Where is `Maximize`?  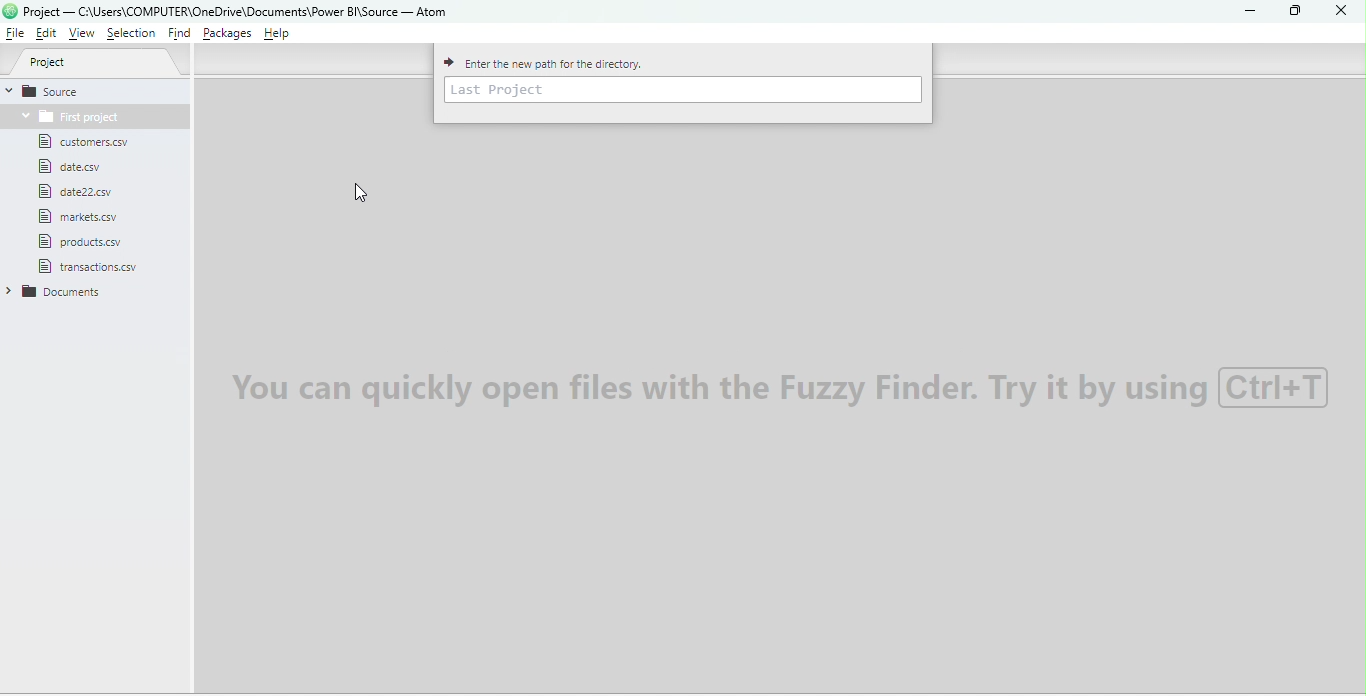
Maximize is located at coordinates (1291, 12).